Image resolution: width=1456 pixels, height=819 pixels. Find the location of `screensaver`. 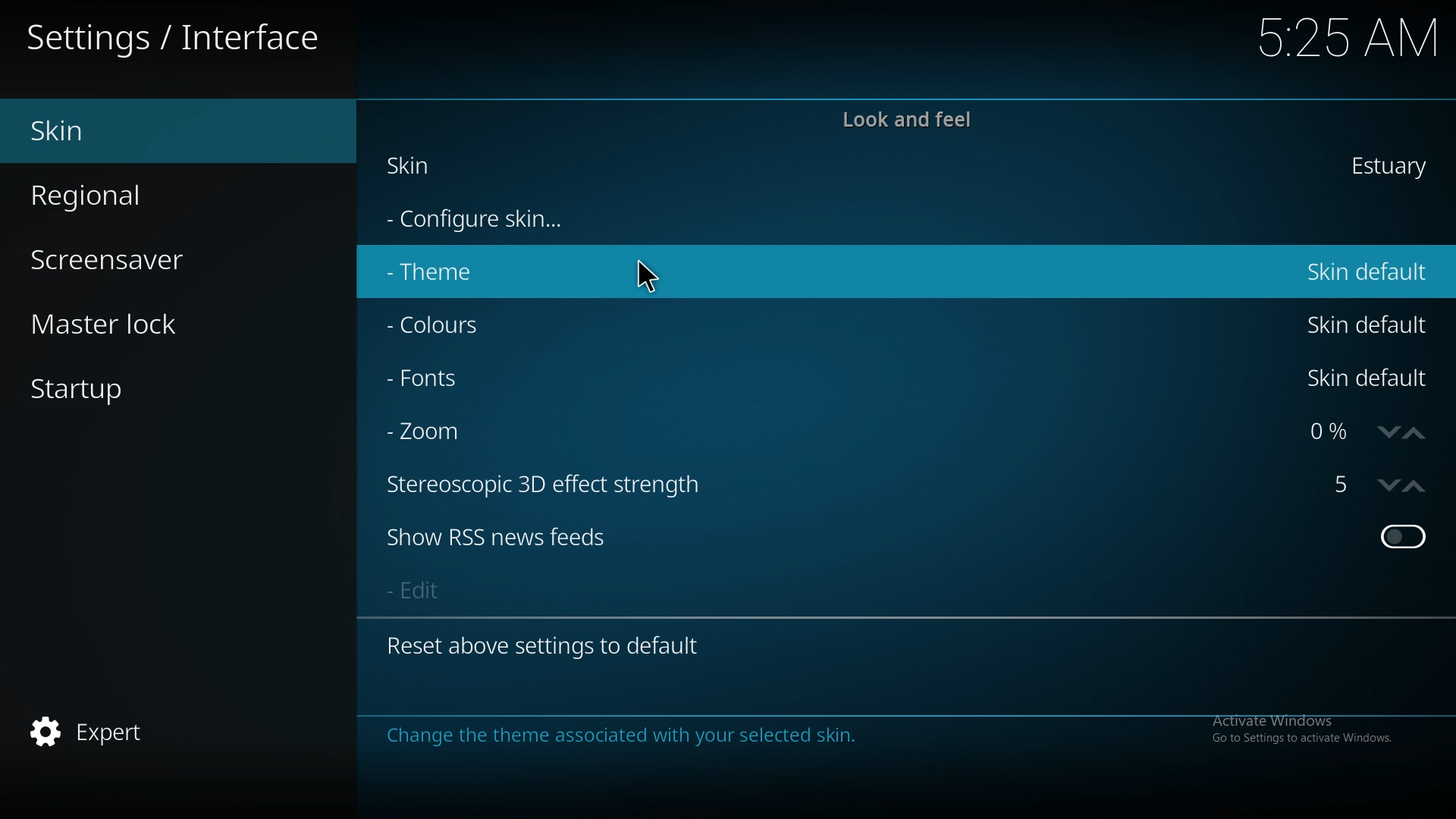

screensaver is located at coordinates (136, 262).